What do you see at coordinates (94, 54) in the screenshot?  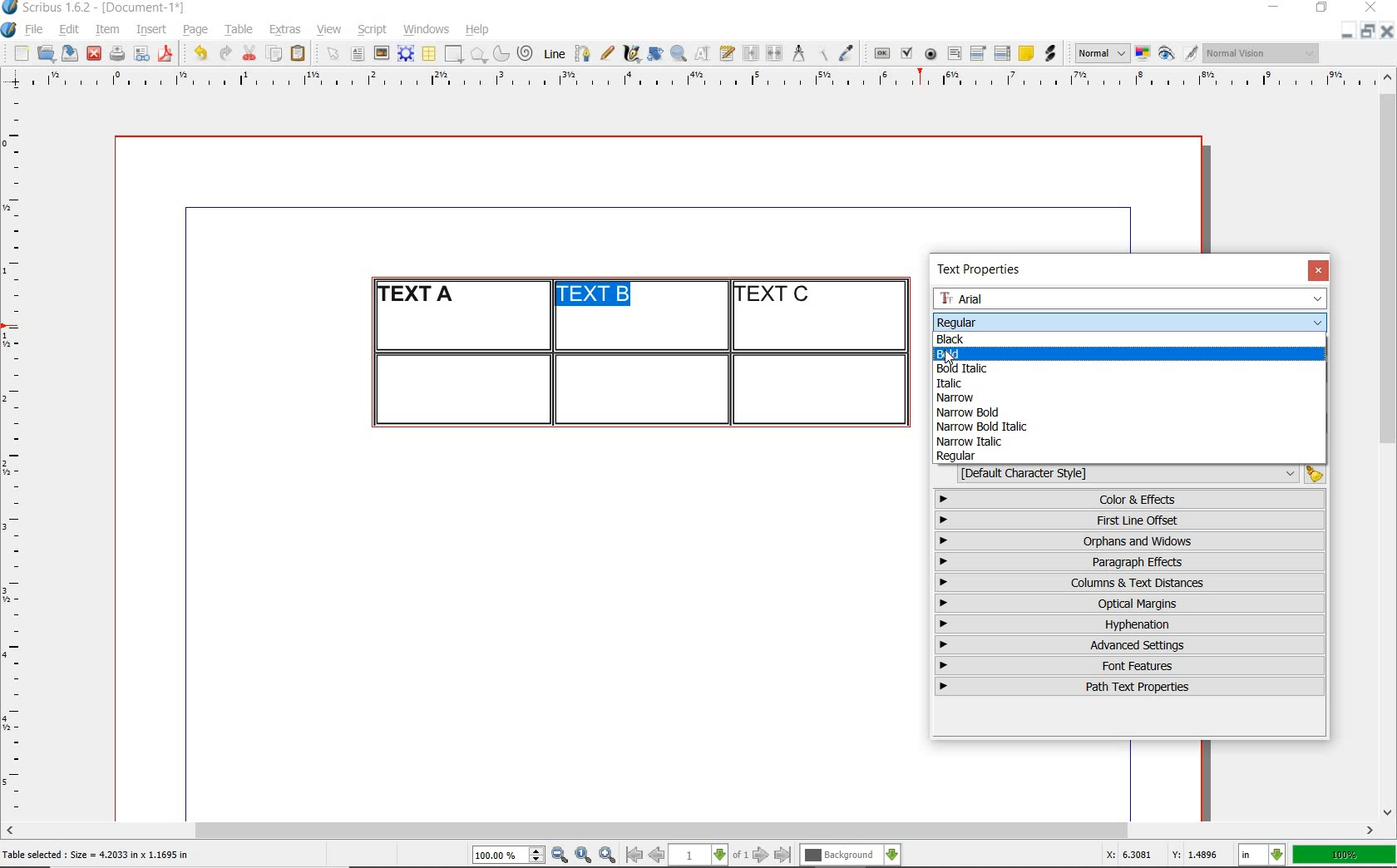 I see `close` at bounding box center [94, 54].